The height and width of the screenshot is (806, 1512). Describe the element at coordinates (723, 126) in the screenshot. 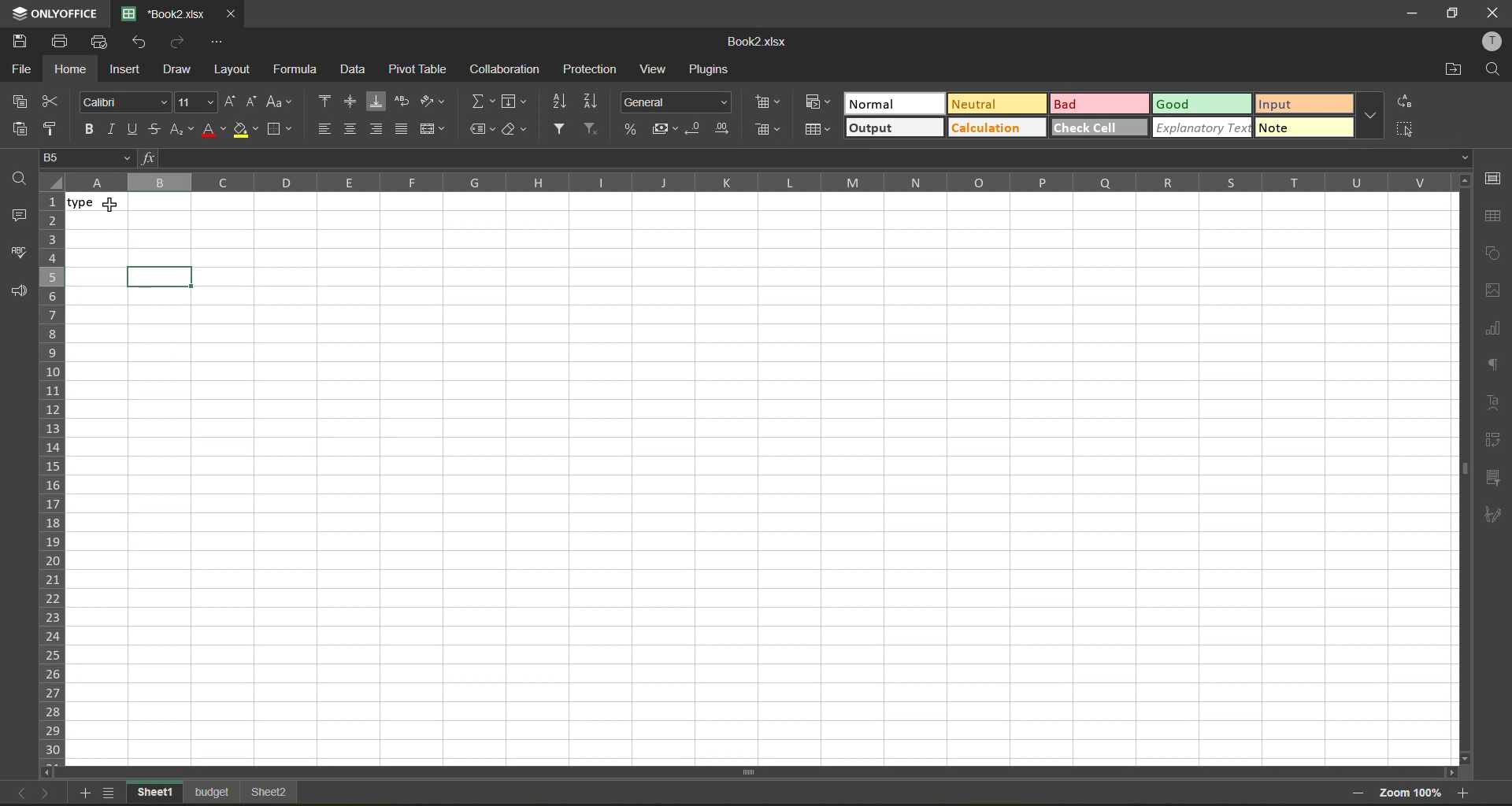

I see `increase decimal` at that location.